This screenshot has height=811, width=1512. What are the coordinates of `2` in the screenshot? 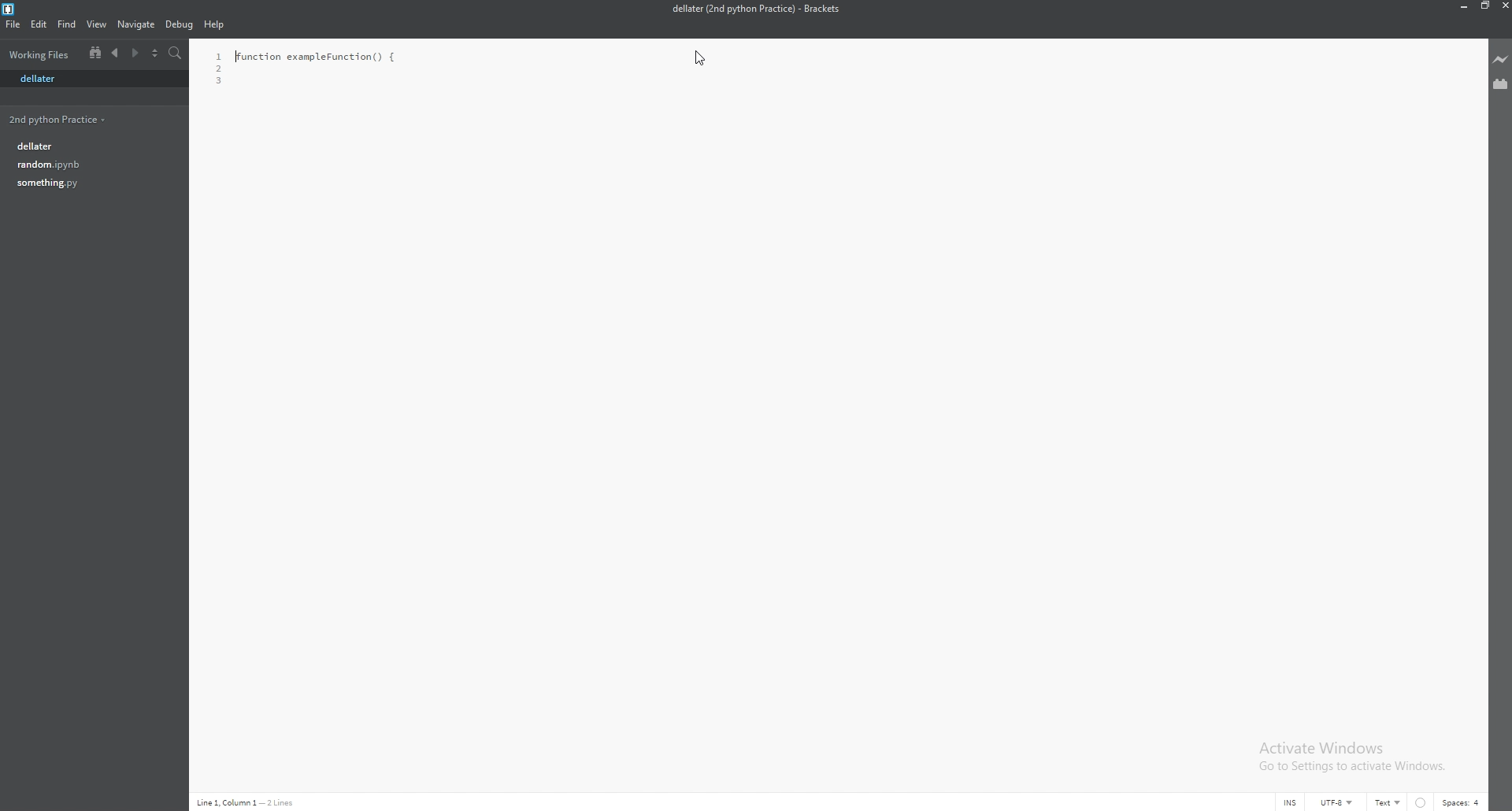 It's located at (219, 69).